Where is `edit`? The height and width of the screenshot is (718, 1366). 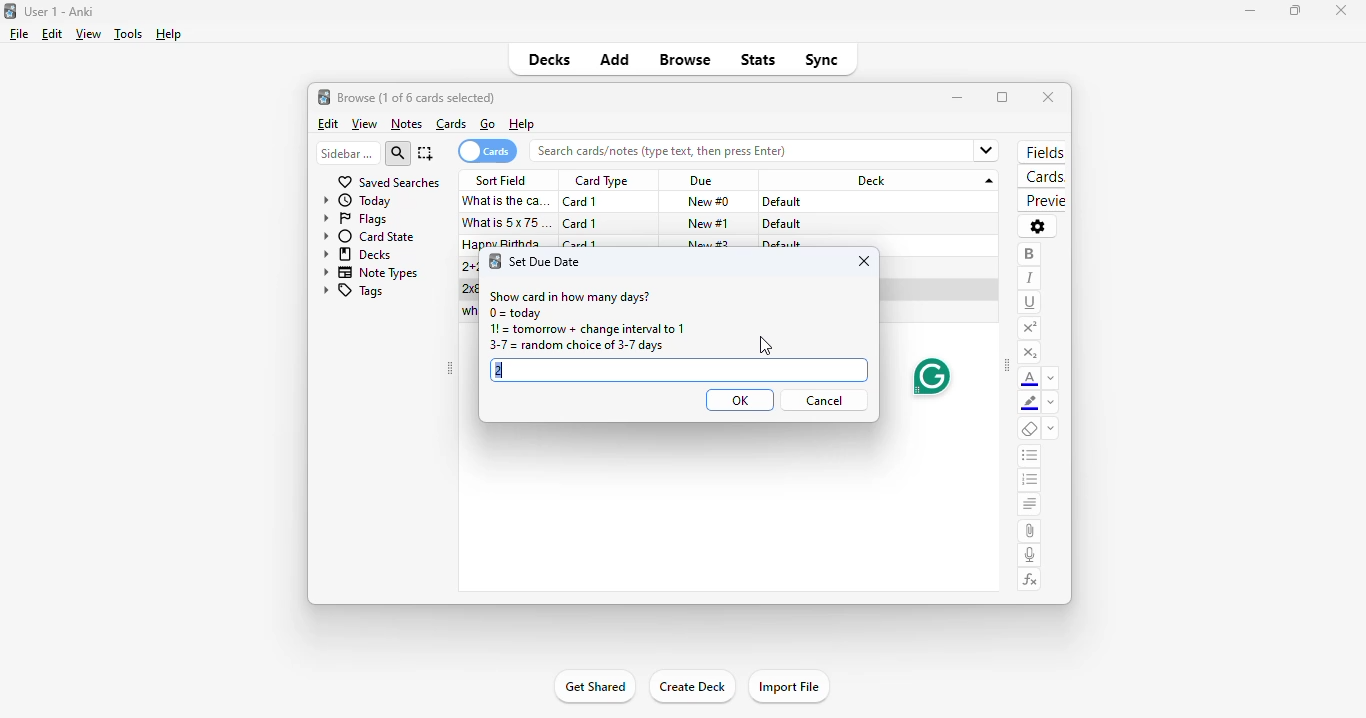
edit is located at coordinates (327, 124).